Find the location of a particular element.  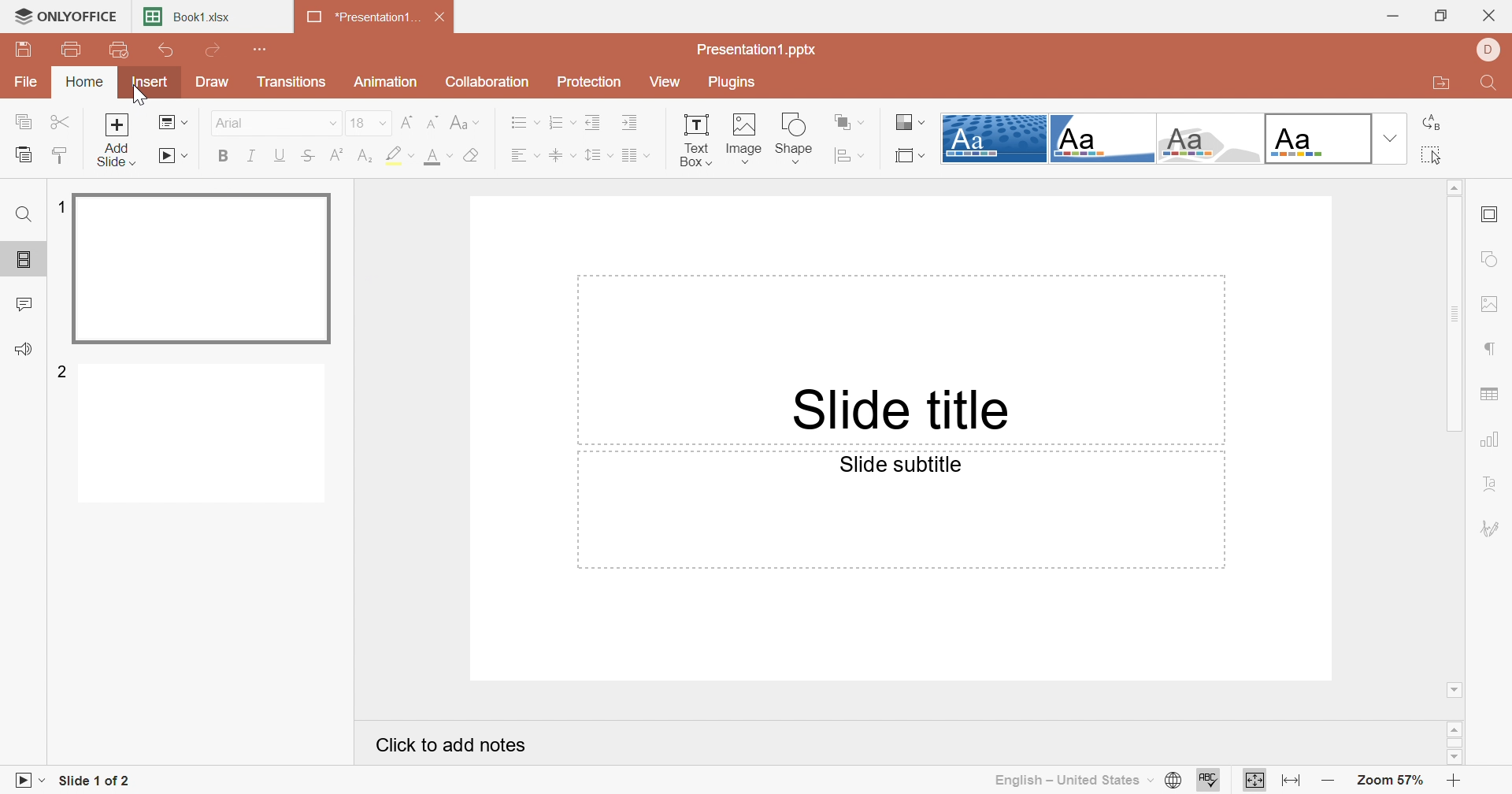

Vertical Align is located at coordinates (561, 157).